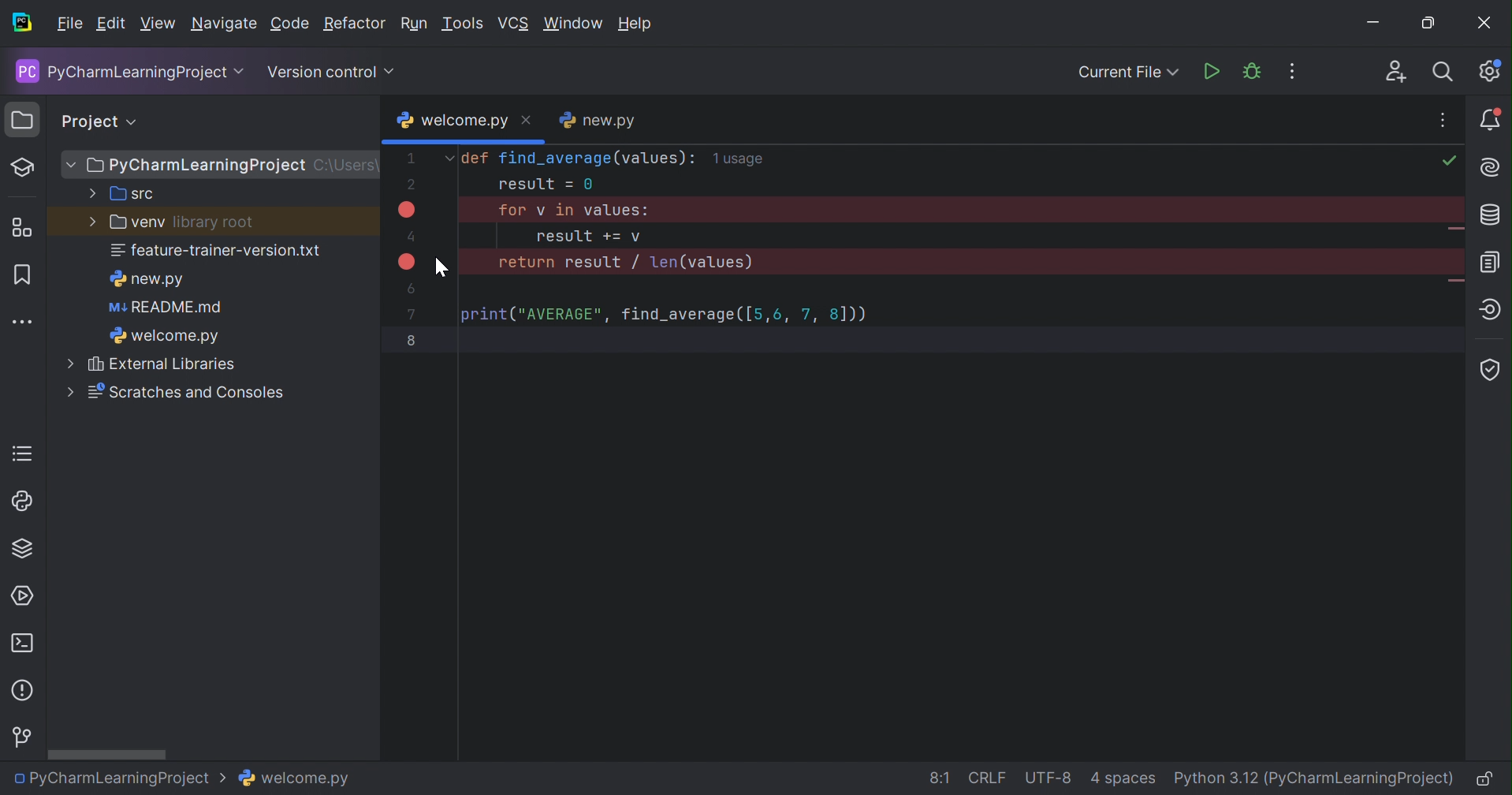 This screenshot has height=795, width=1512. What do you see at coordinates (1312, 778) in the screenshot?
I see `Python 3.12 (PyCharmLearning Project)` at bounding box center [1312, 778].